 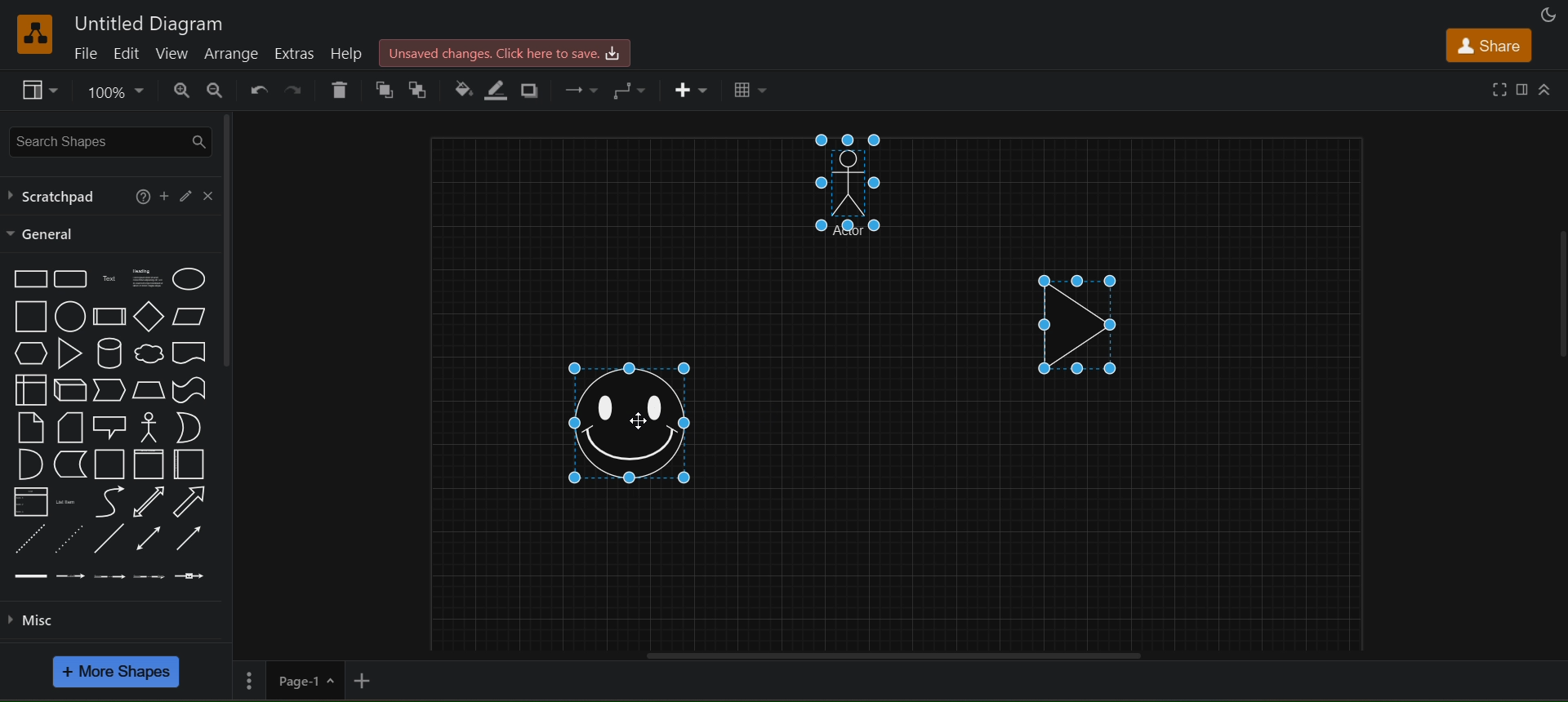 What do you see at coordinates (152, 22) in the screenshot?
I see `untitled diagram` at bounding box center [152, 22].